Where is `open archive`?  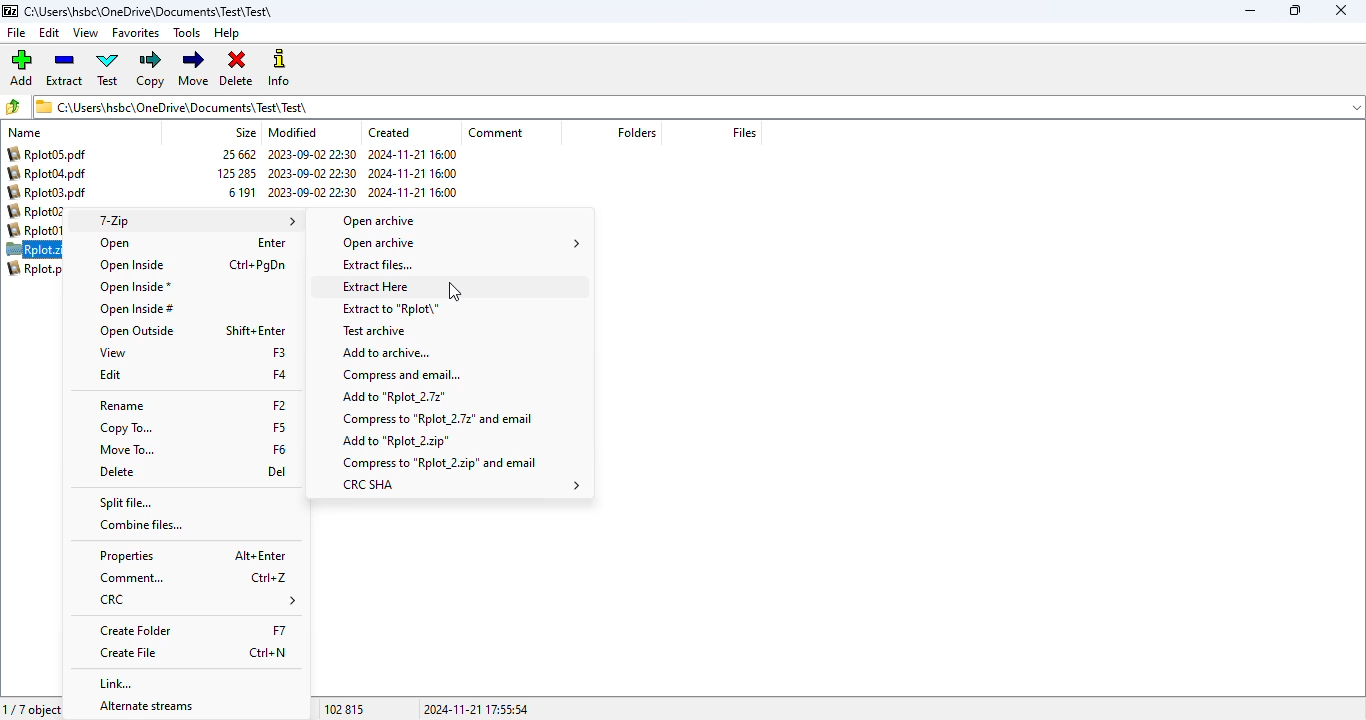
open archive is located at coordinates (461, 243).